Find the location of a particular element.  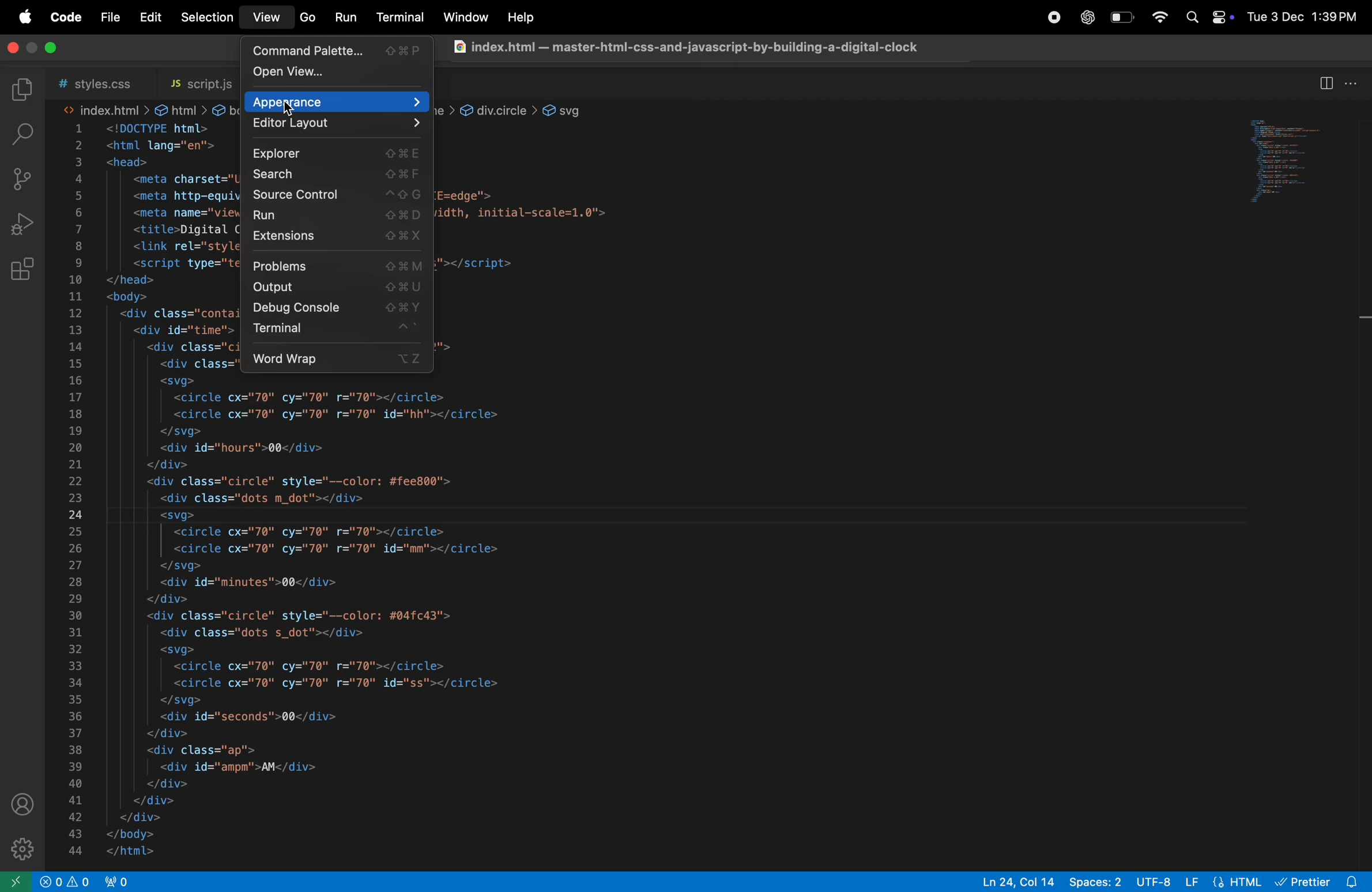

utf 8 is located at coordinates (1153, 879).